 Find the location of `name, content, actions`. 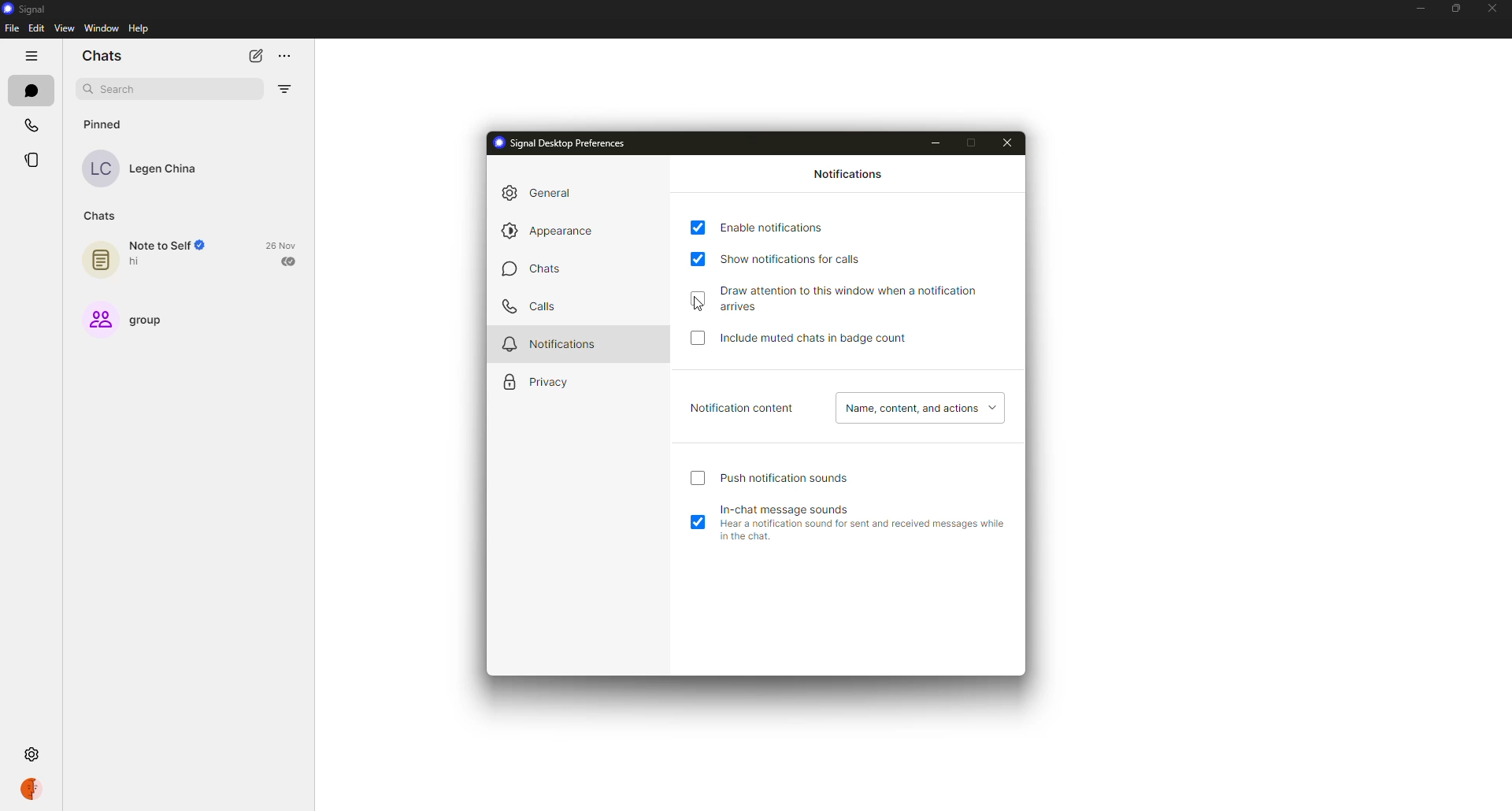

name, content, actions is located at coordinates (918, 409).